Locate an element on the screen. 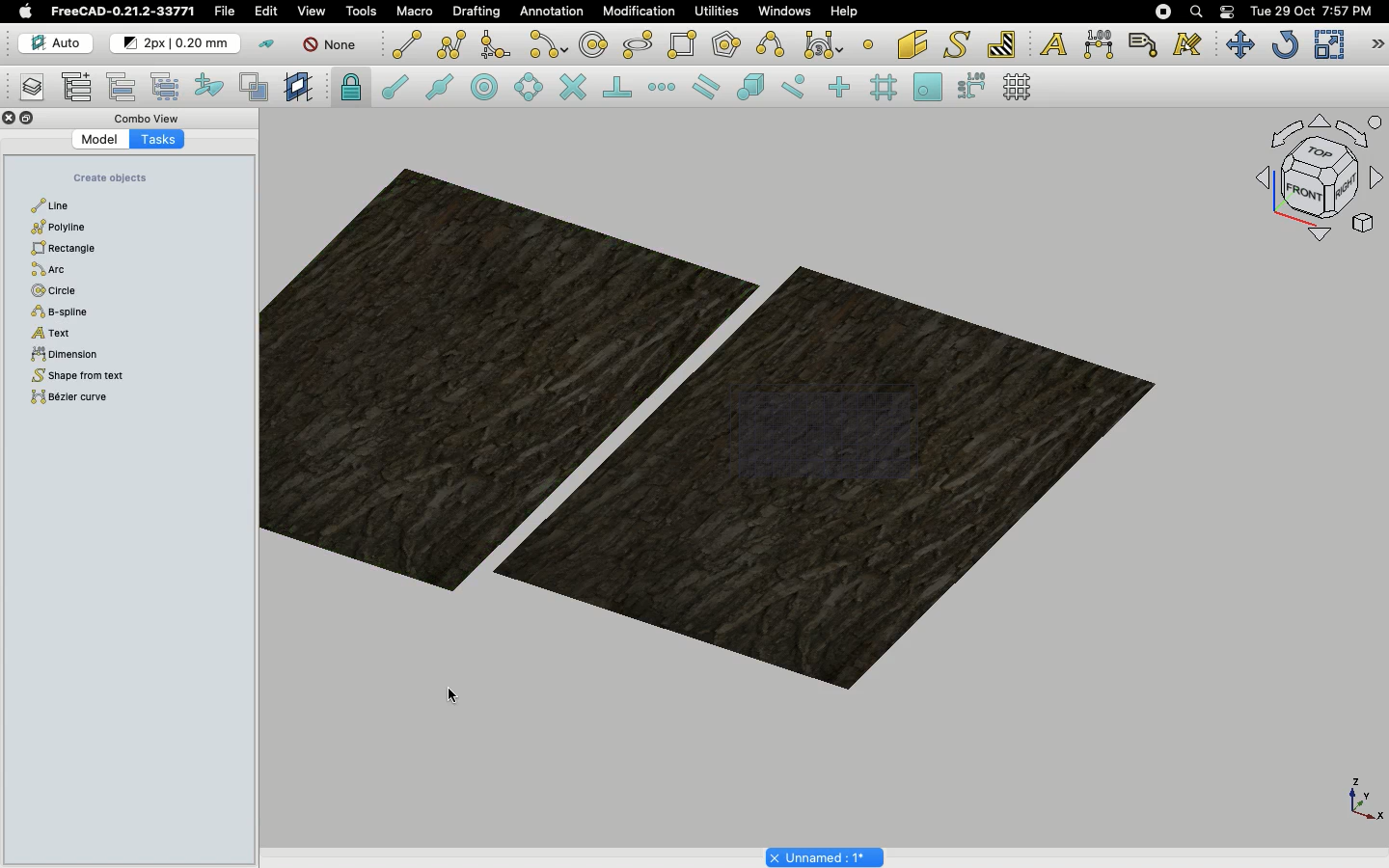 This screenshot has height=868, width=1389. FreeCAD is located at coordinates (124, 12).